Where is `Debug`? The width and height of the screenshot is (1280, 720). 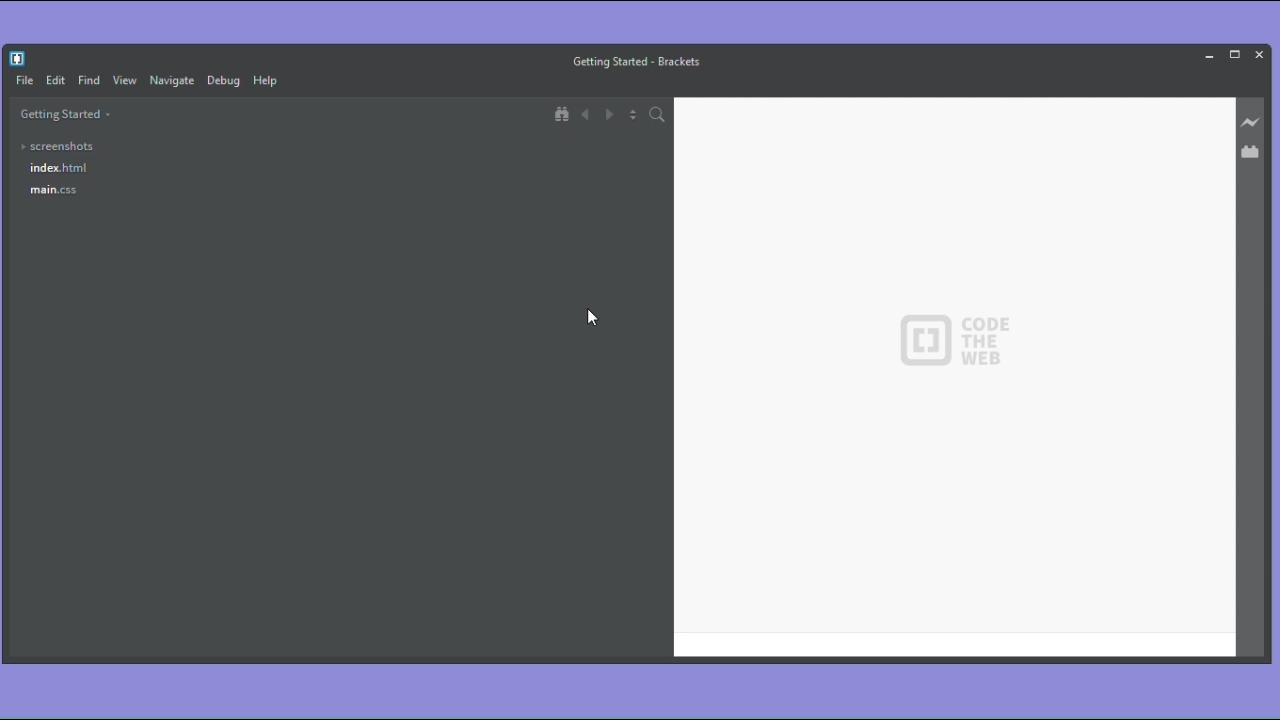 Debug is located at coordinates (226, 82).